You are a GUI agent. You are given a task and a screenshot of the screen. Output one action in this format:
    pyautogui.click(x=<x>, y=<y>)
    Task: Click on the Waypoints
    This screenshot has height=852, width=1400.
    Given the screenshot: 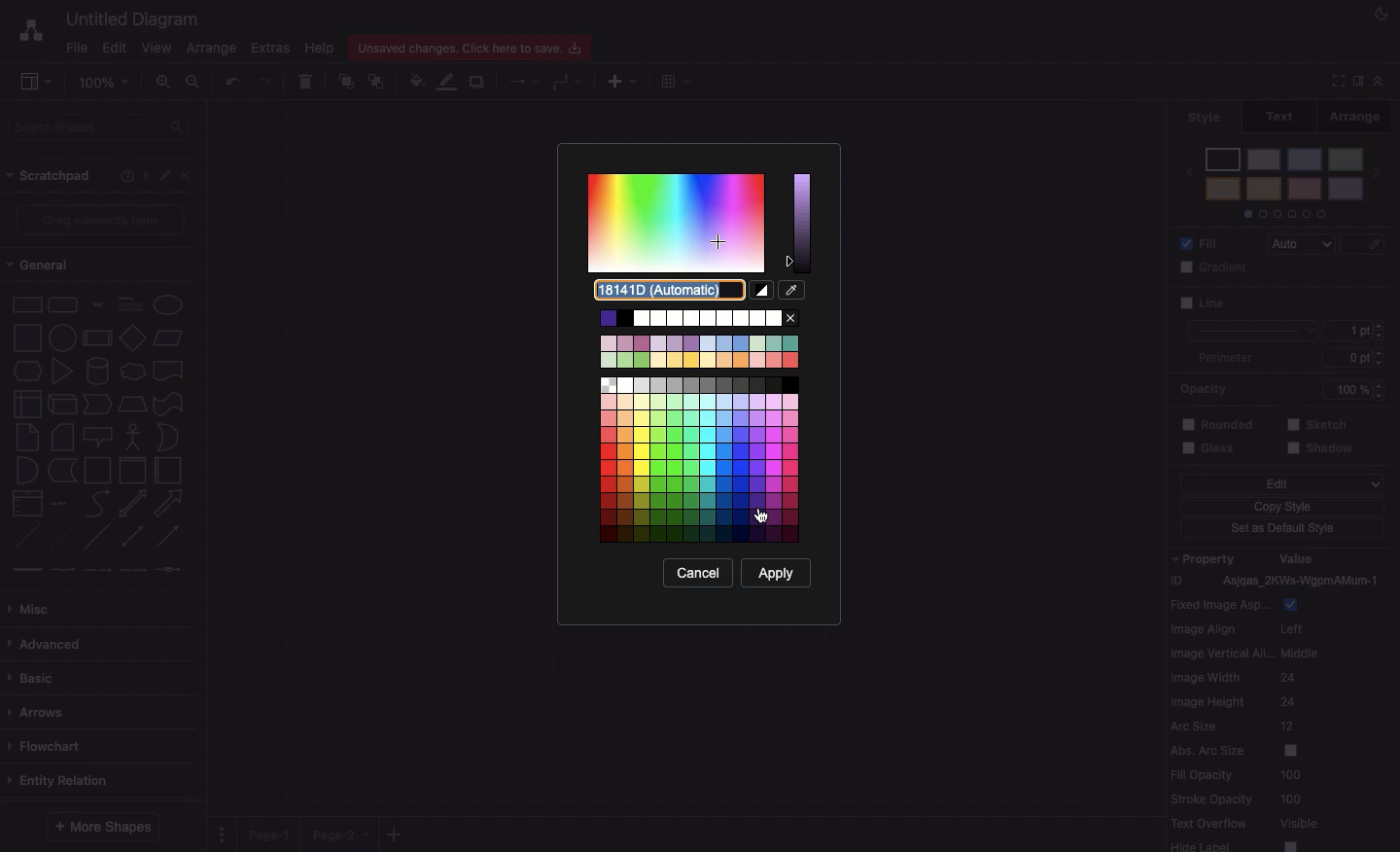 What is the action you would take?
    pyautogui.click(x=569, y=83)
    